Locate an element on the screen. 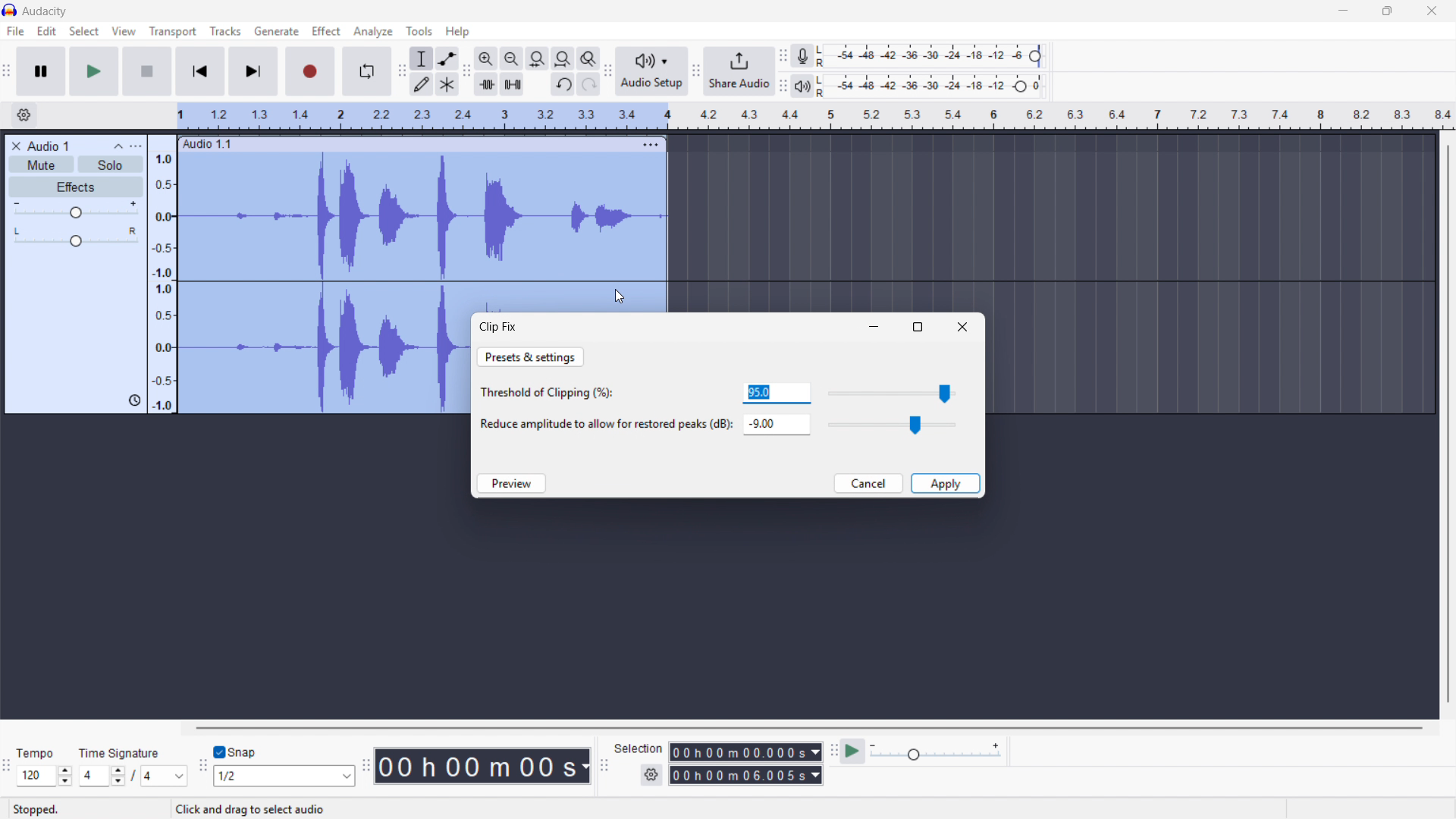 The image size is (1456, 819). Fit selection to width is located at coordinates (538, 58).